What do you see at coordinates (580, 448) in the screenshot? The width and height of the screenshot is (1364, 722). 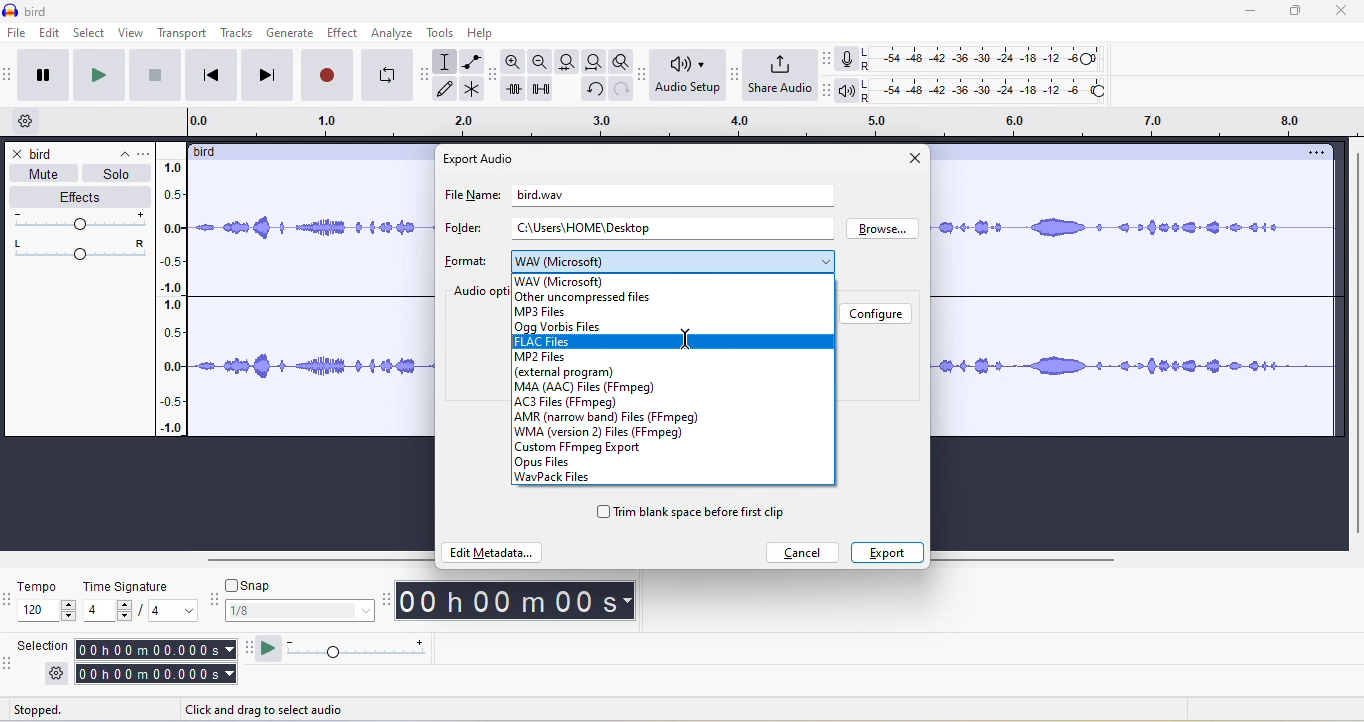 I see `custom ffmpeg export` at bounding box center [580, 448].